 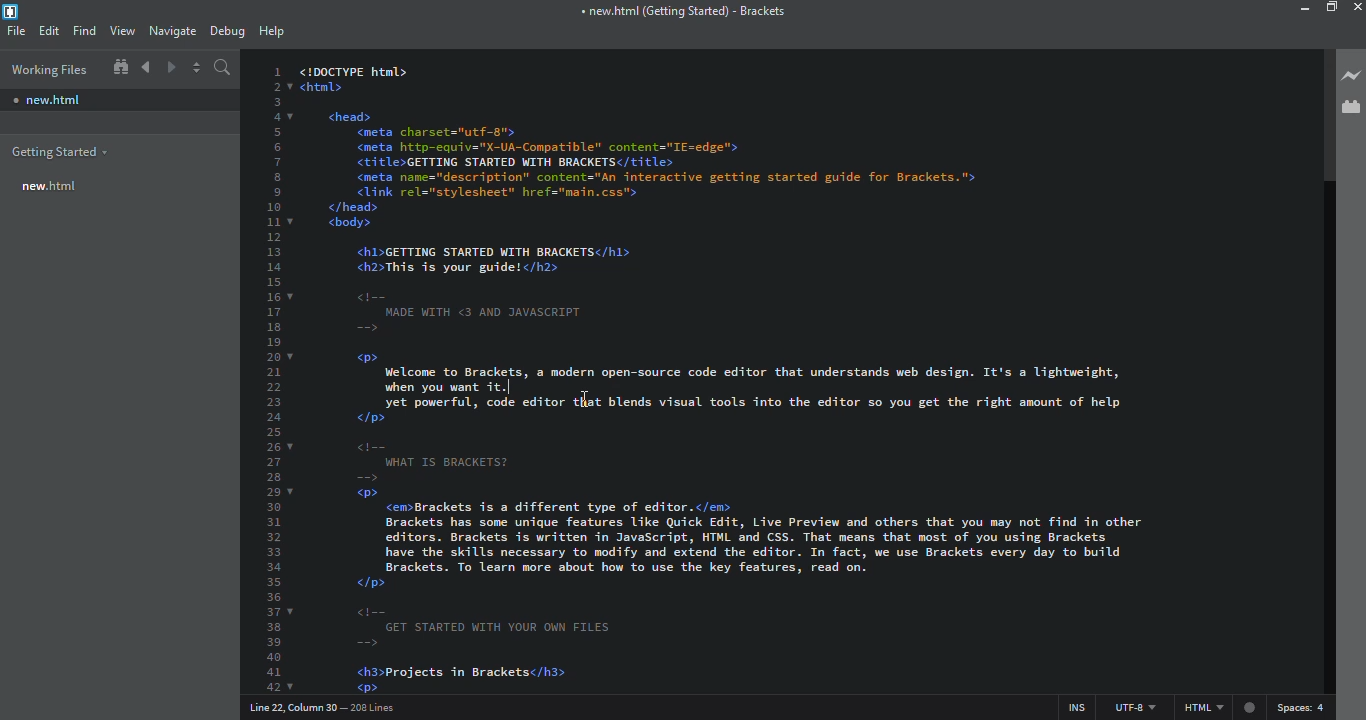 I want to click on show in file tree, so click(x=121, y=66).